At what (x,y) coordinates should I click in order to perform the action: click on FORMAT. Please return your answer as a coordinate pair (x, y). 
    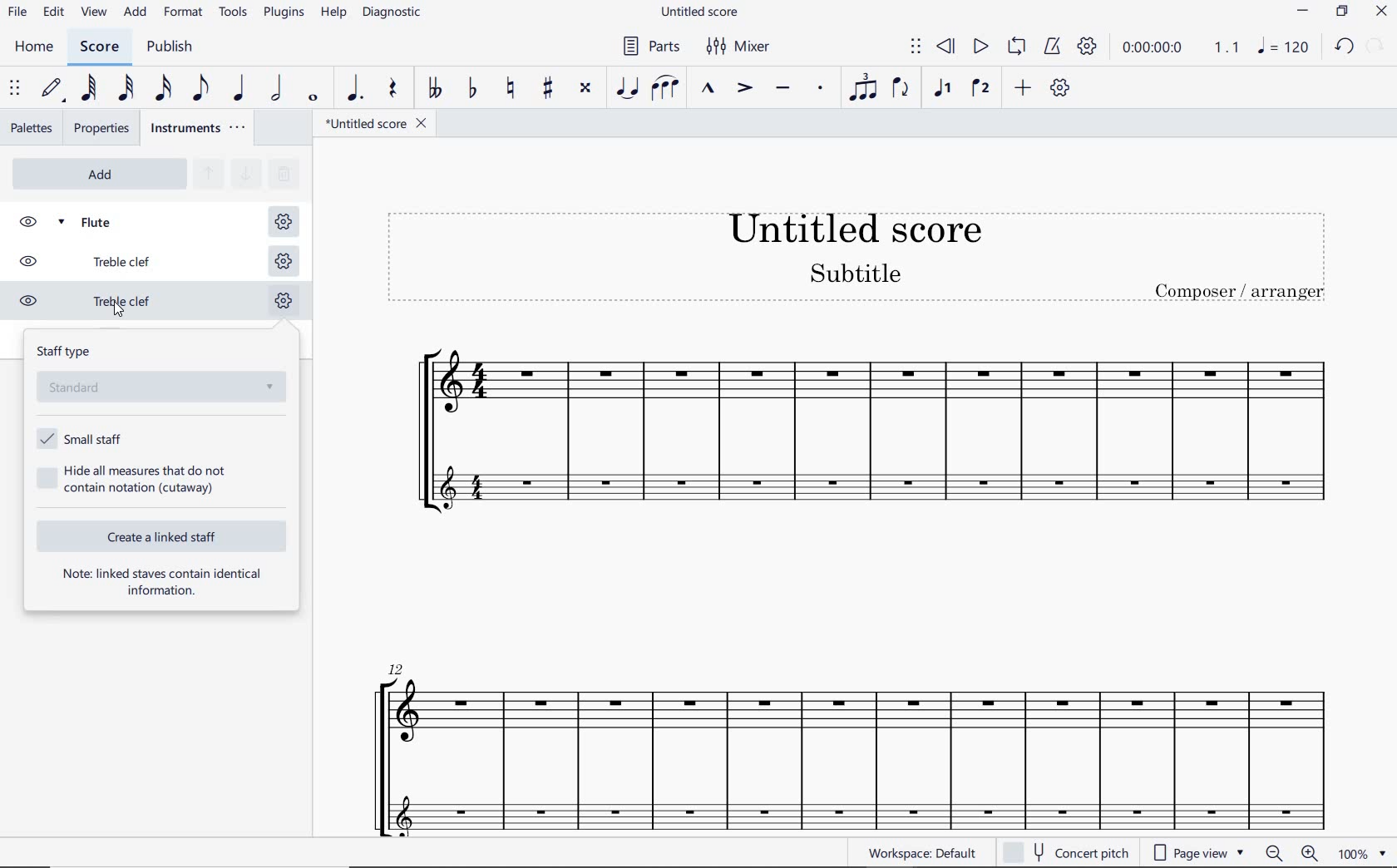
    Looking at the image, I should click on (184, 12).